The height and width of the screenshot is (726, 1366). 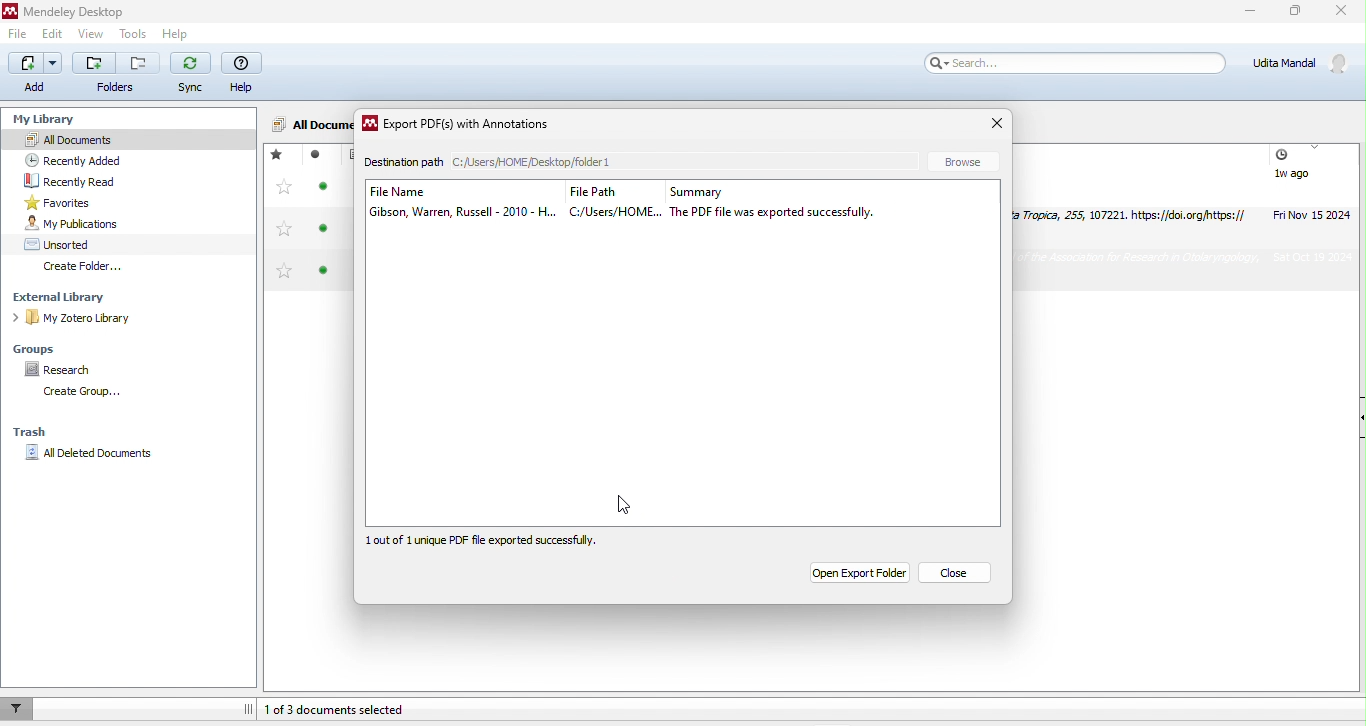 What do you see at coordinates (1080, 65) in the screenshot?
I see `search bar` at bounding box center [1080, 65].